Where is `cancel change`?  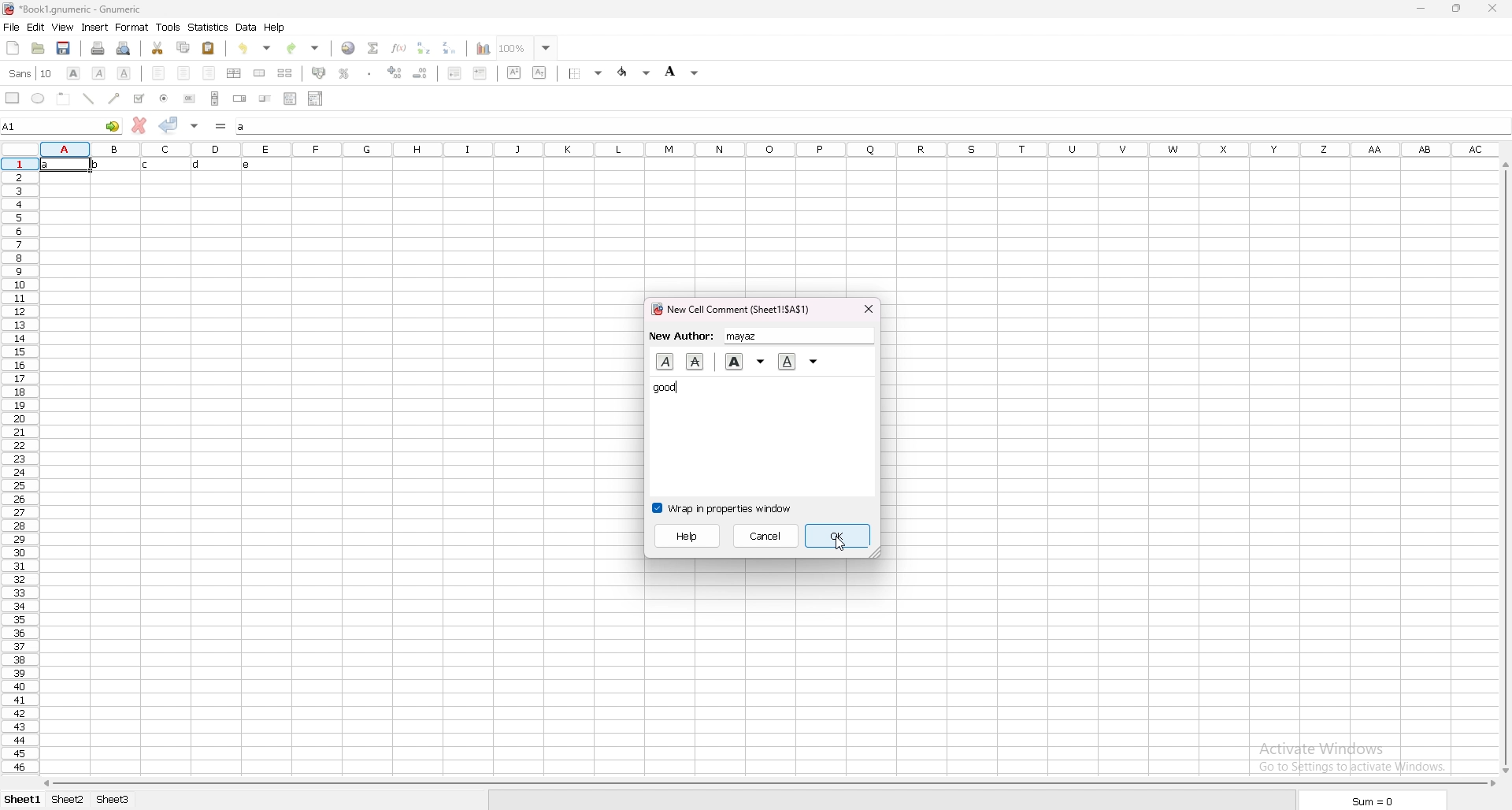
cancel change is located at coordinates (139, 124).